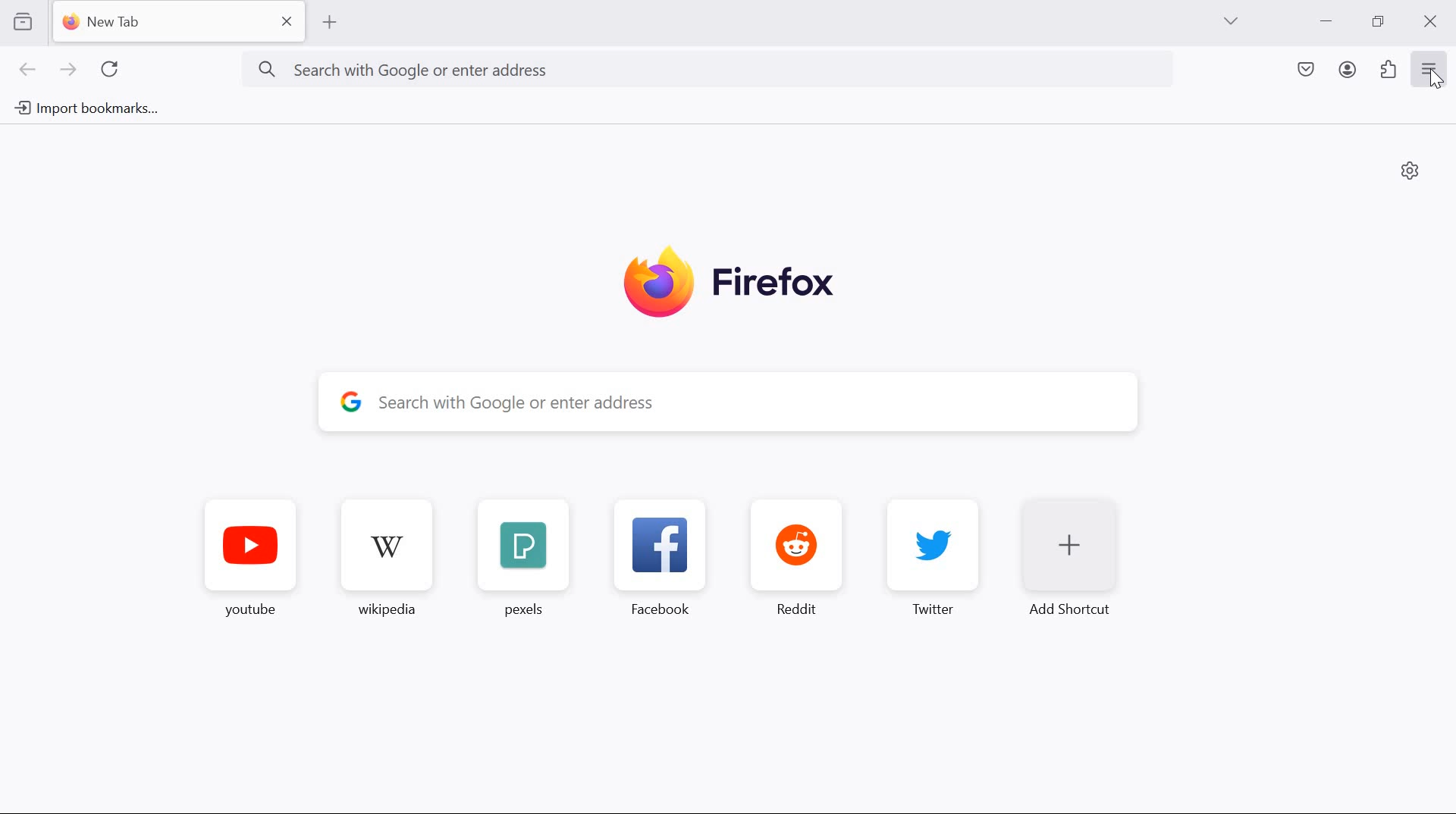 The image size is (1456, 814). Describe the element at coordinates (724, 404) in the screenshot. I see `search with Google oe enter address` at that location.